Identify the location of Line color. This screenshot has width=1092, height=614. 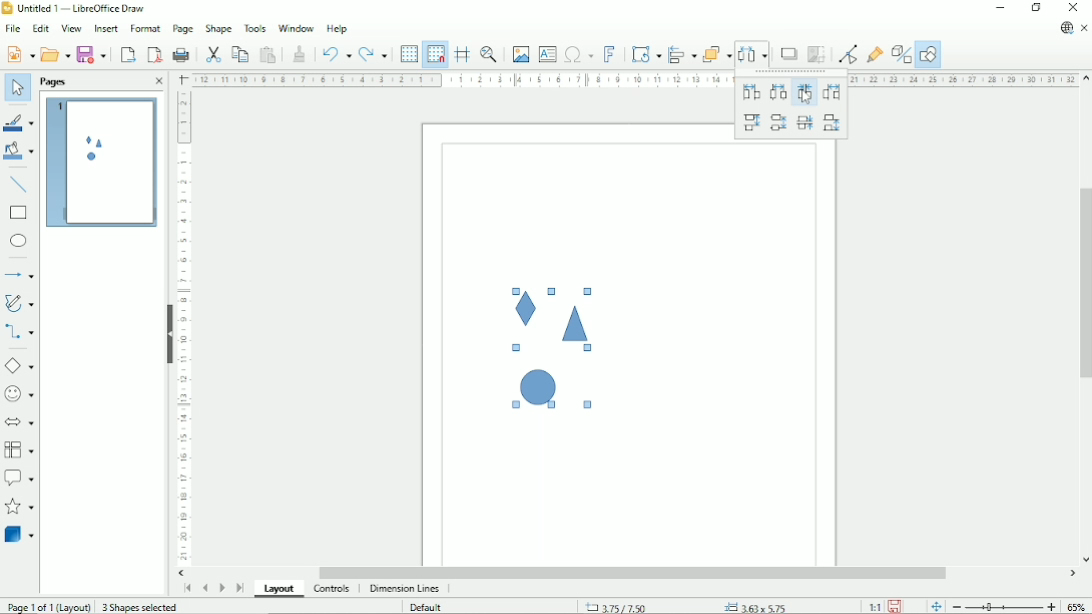
(18, 120).